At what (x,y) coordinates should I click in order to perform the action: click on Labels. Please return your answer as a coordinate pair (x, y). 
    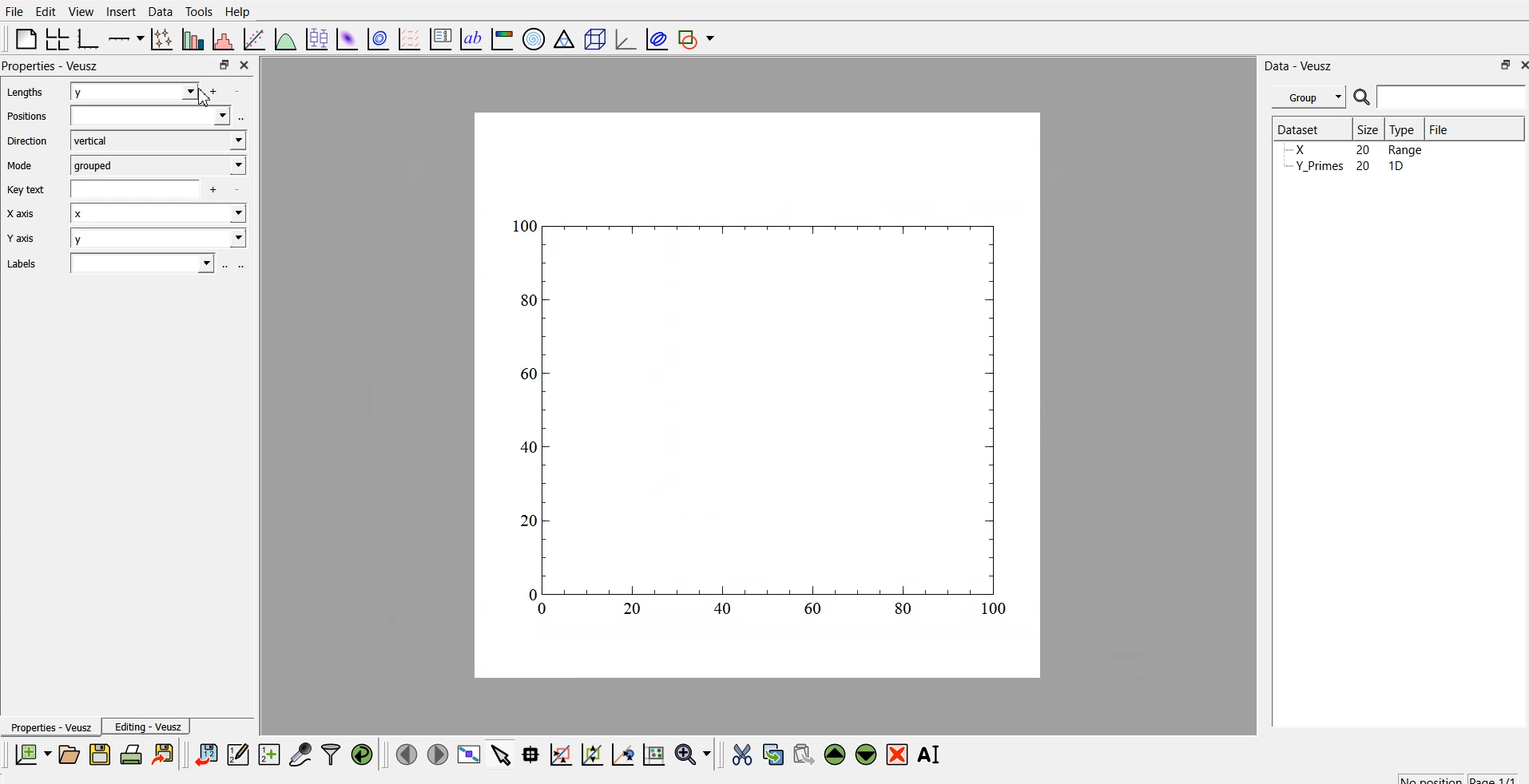
    Looking at the image, I should click on (121, 263).